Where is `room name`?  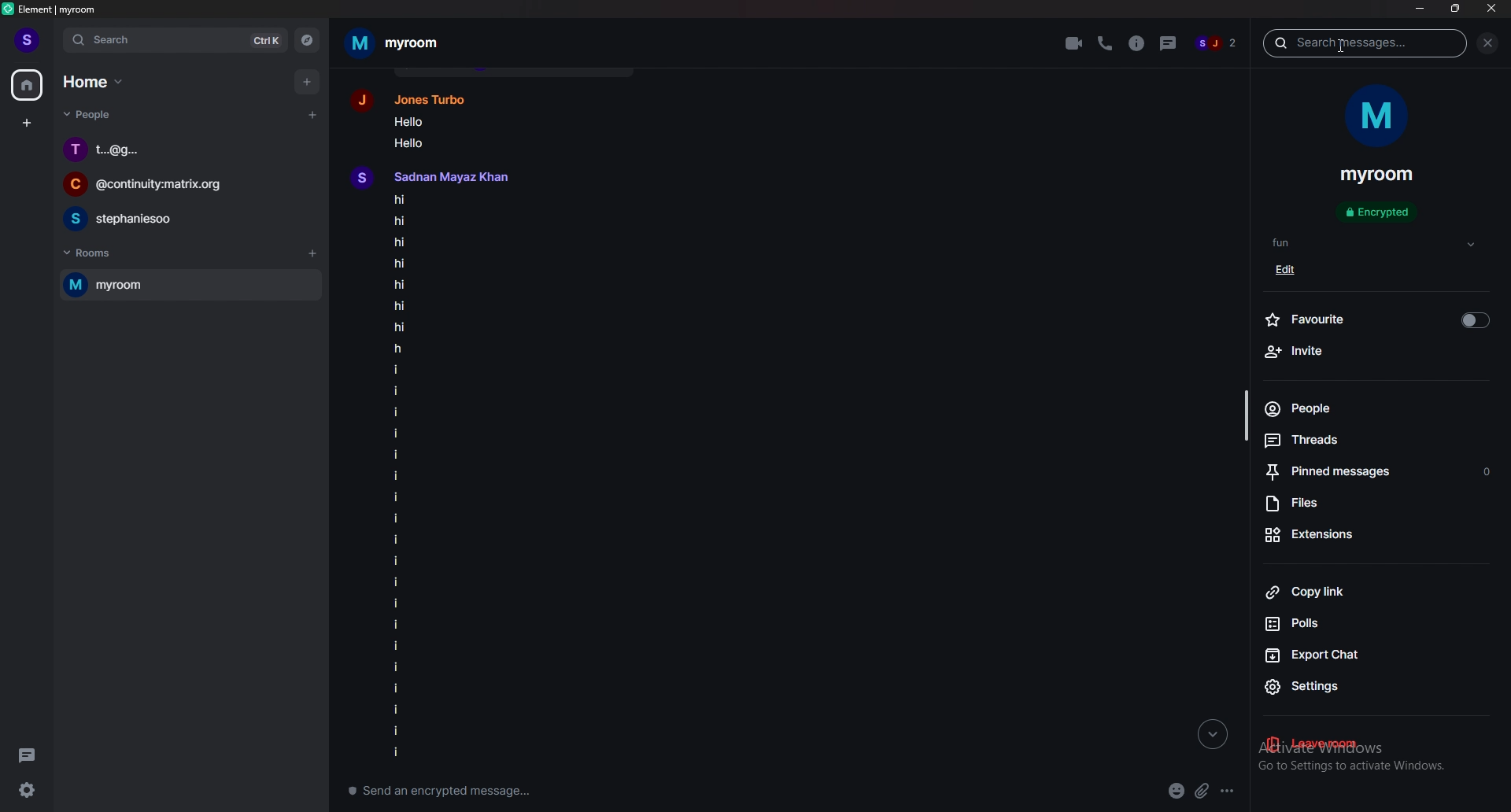
room name is located at coordinates (1381, 175).